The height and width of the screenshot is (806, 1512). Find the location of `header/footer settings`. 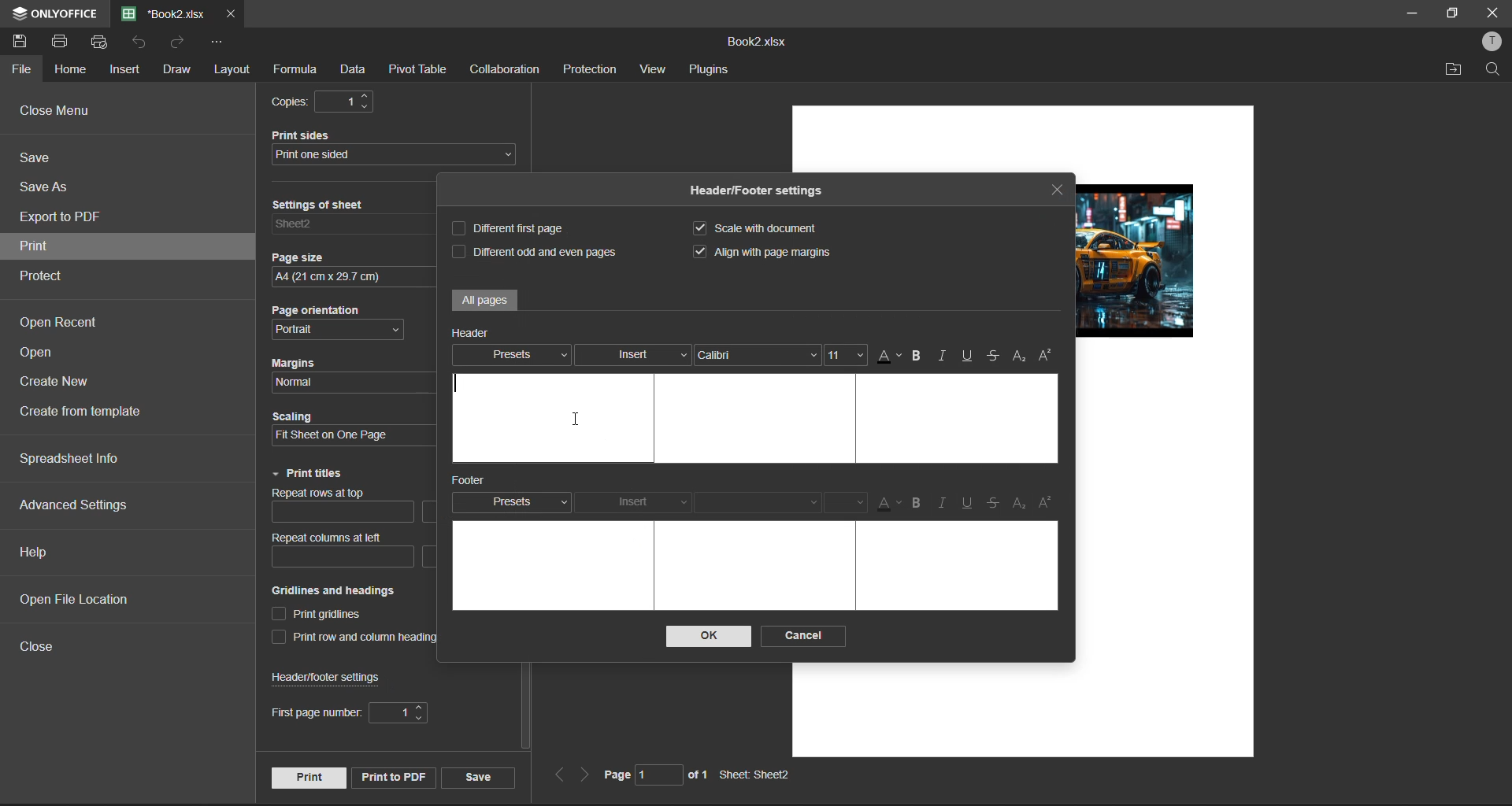

header/footer settings is located at coordinates (335, 677).